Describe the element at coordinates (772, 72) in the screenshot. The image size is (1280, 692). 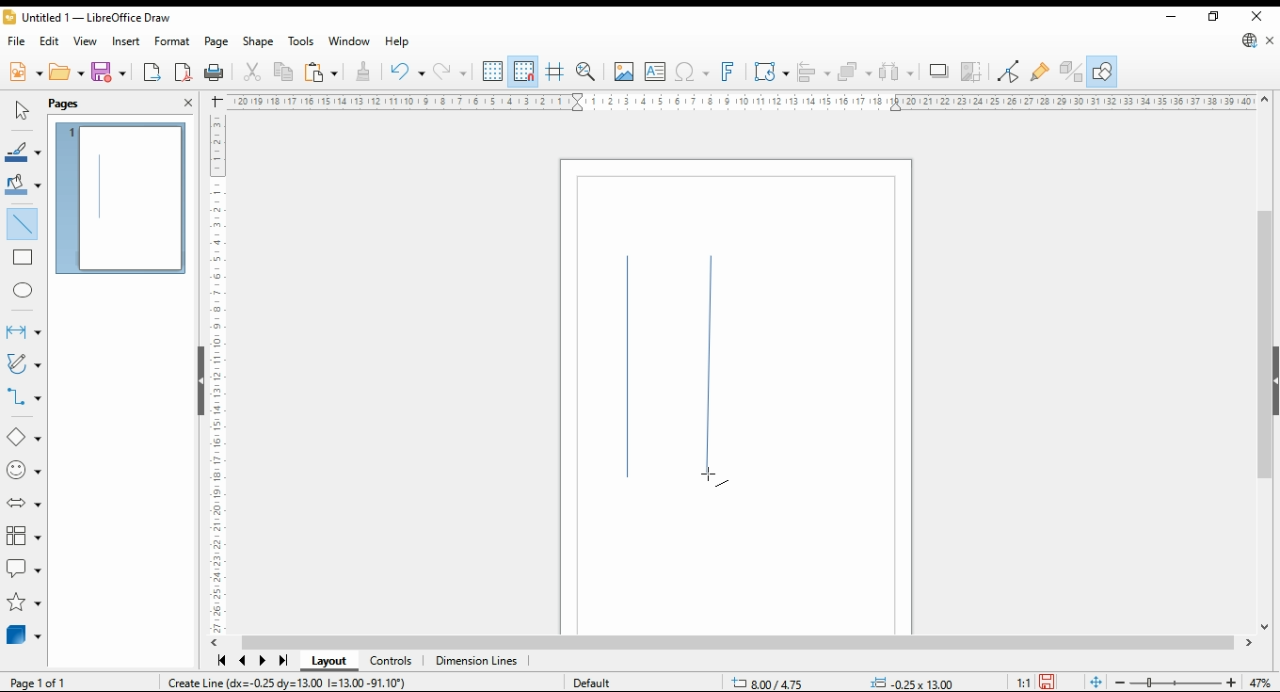
I see `transformations` at that location.